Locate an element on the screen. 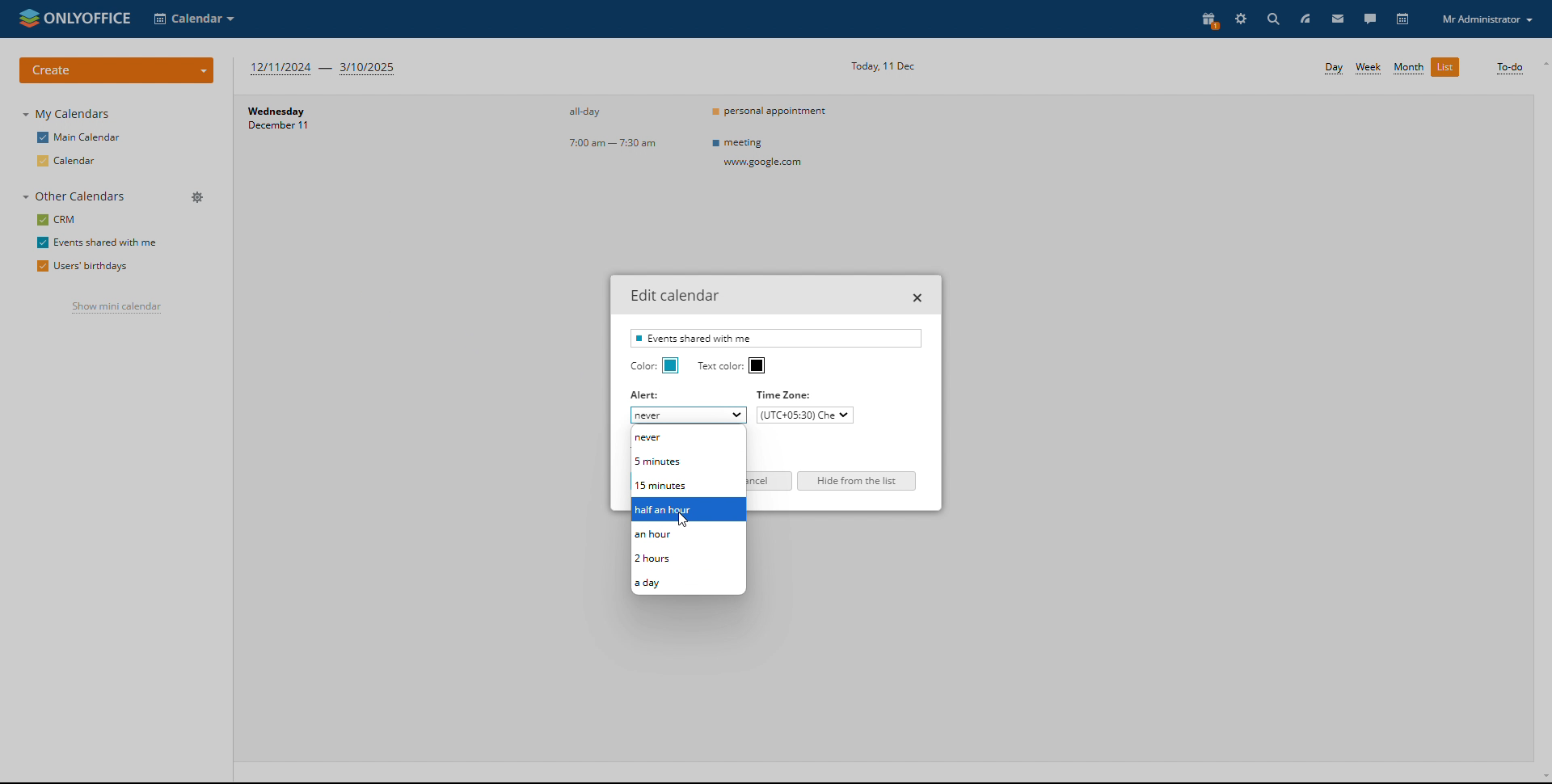 This screenshot has width=1552, height=784. calendar is located at coordinates (71, 160).